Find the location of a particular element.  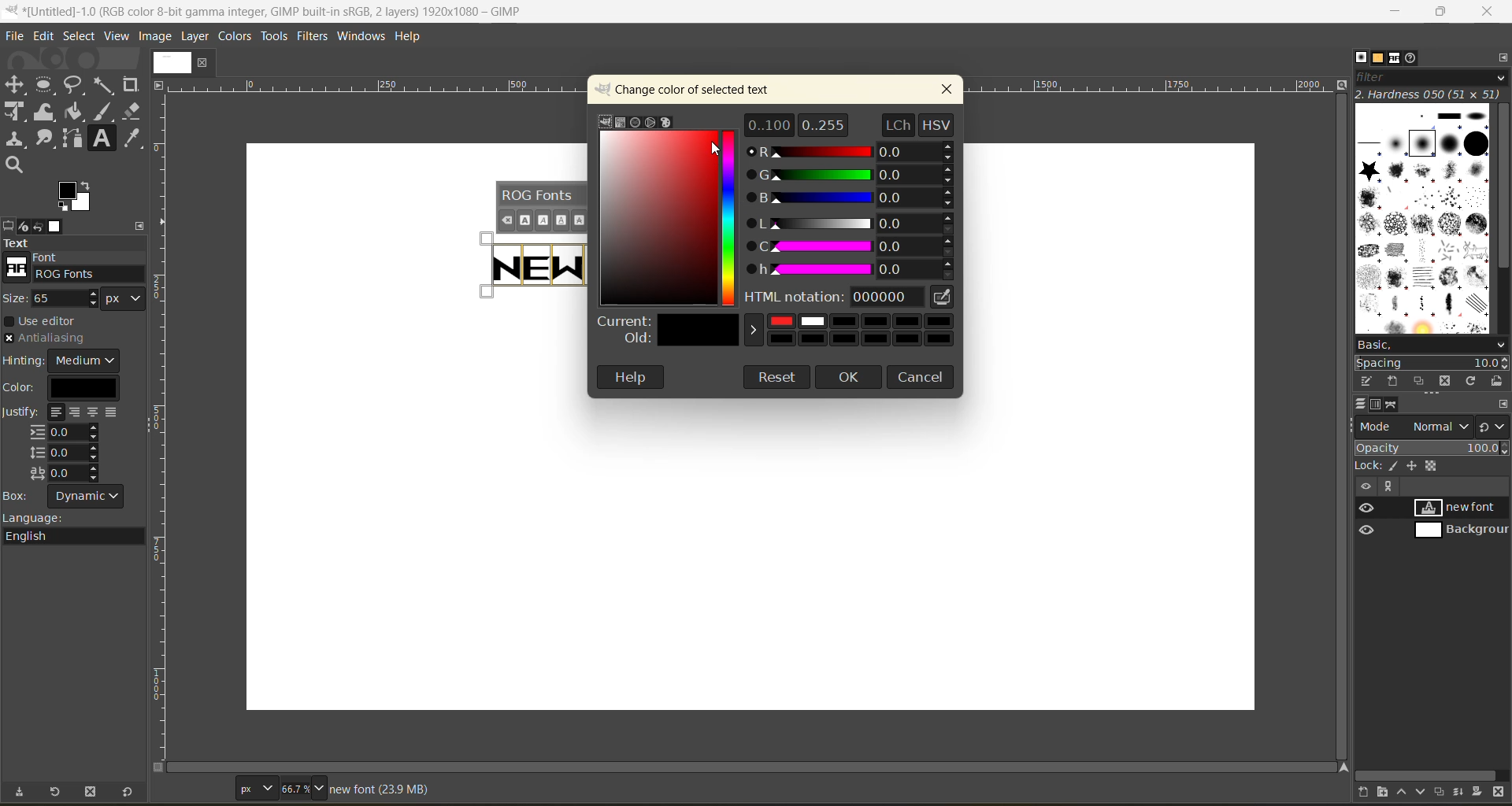

preview is located at coordinates (1369, 520).